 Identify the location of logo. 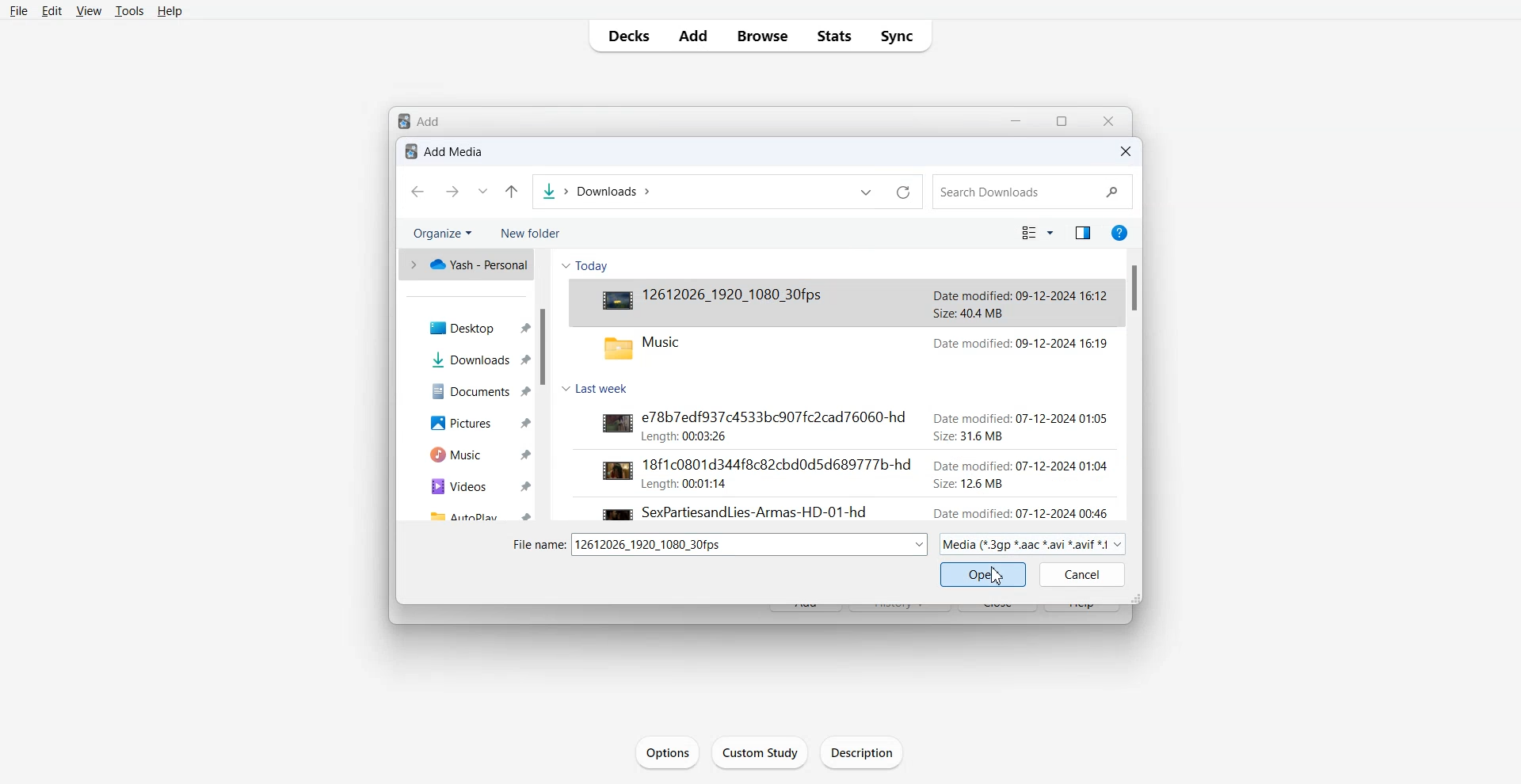
(402, 121).